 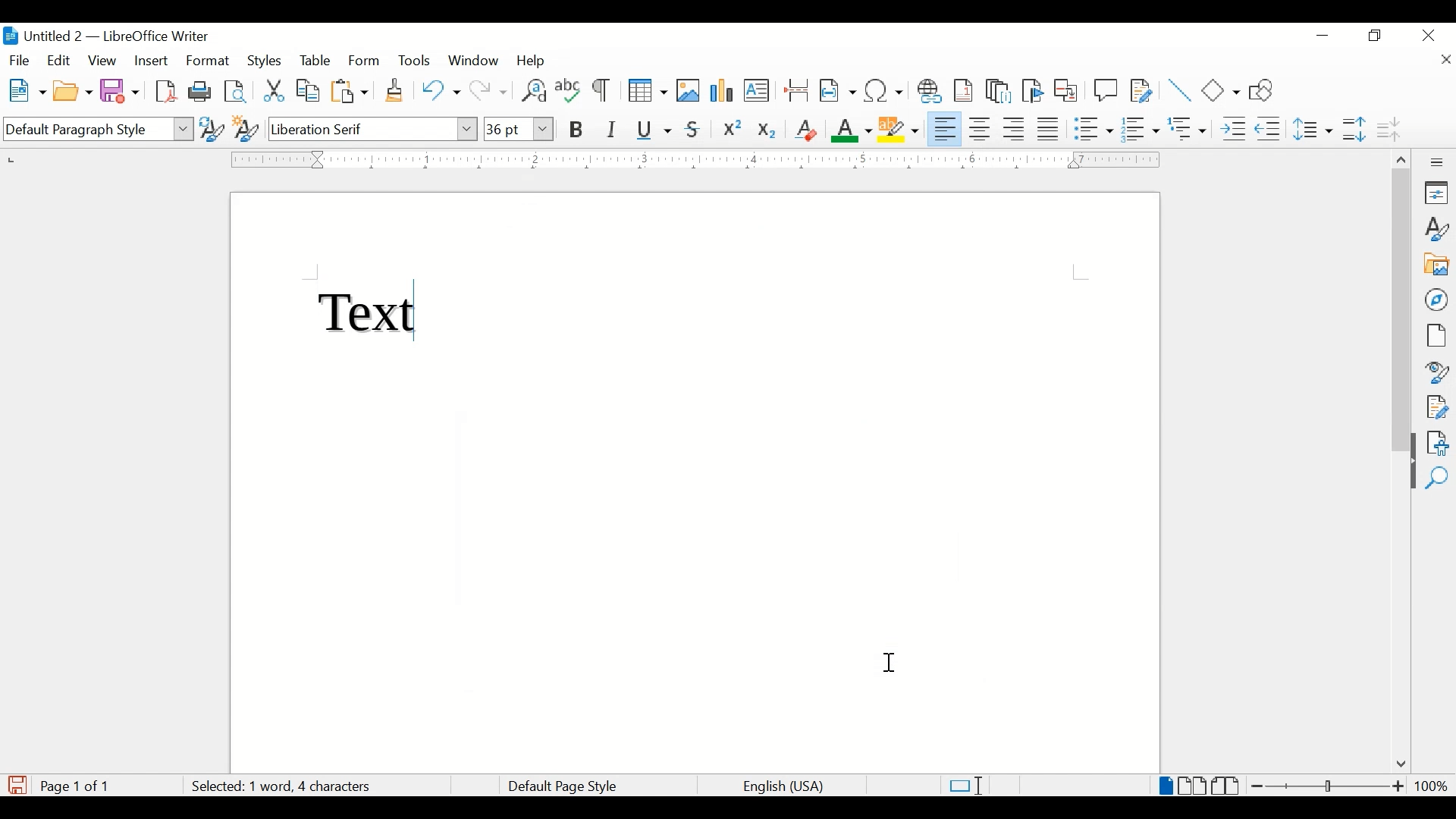 I want to click on insert cross-reference, so click(x=1066, y=89).